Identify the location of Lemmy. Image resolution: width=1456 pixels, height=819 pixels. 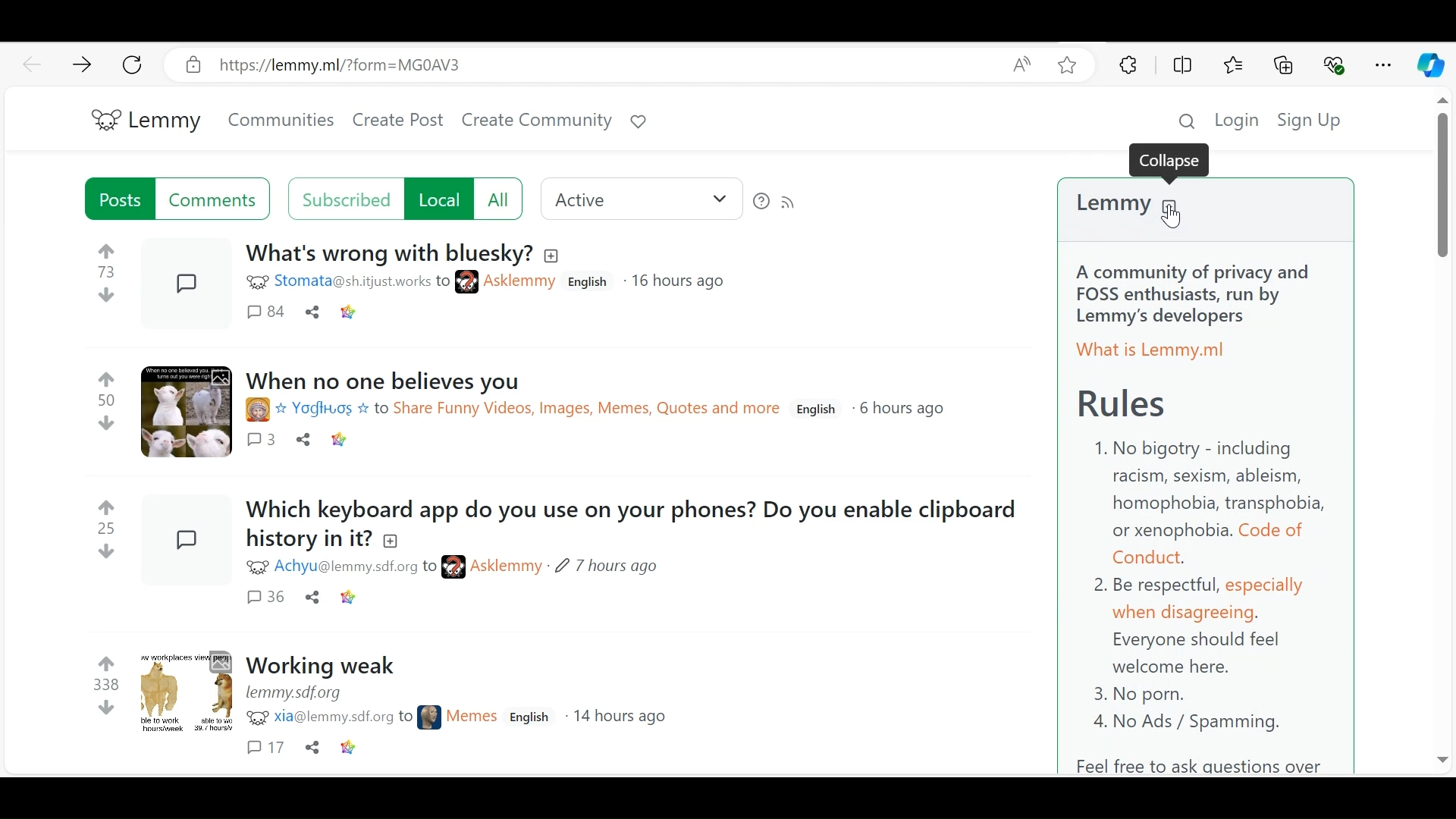
(1205, 205).